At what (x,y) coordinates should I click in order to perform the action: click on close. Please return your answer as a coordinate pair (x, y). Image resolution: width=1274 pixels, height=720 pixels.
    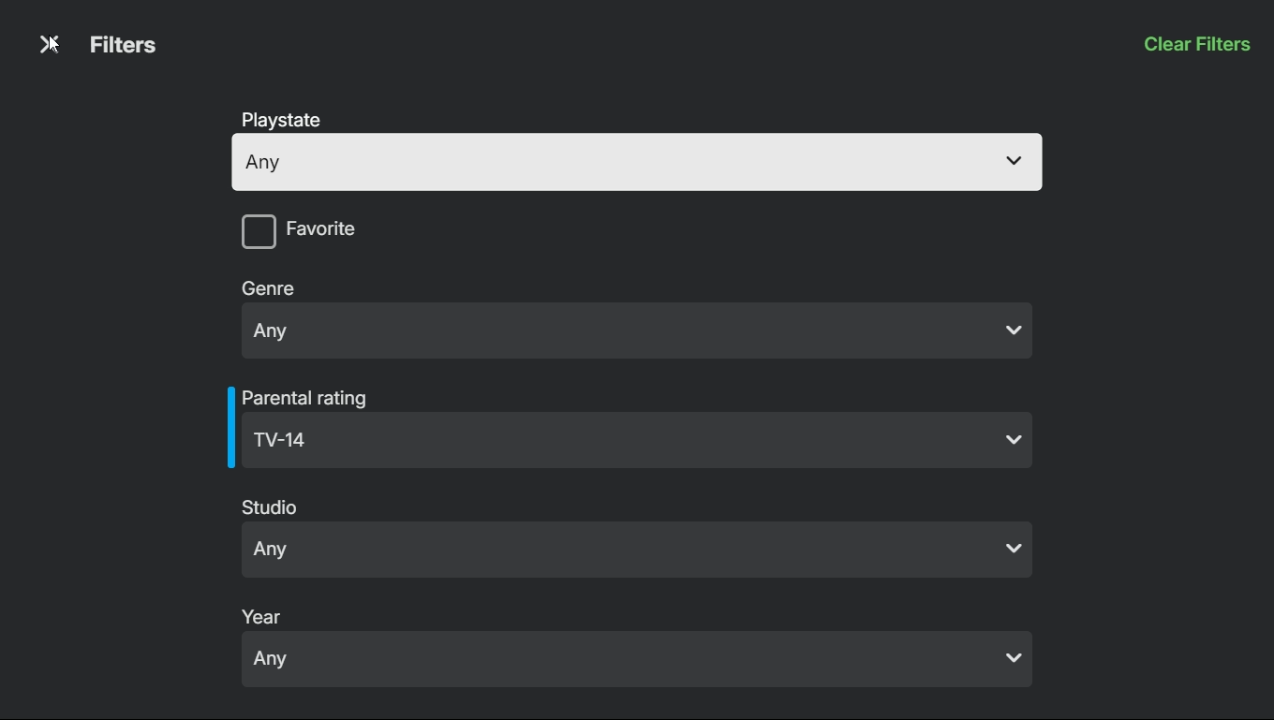
    Looking at the image, I should click on (46, 47).